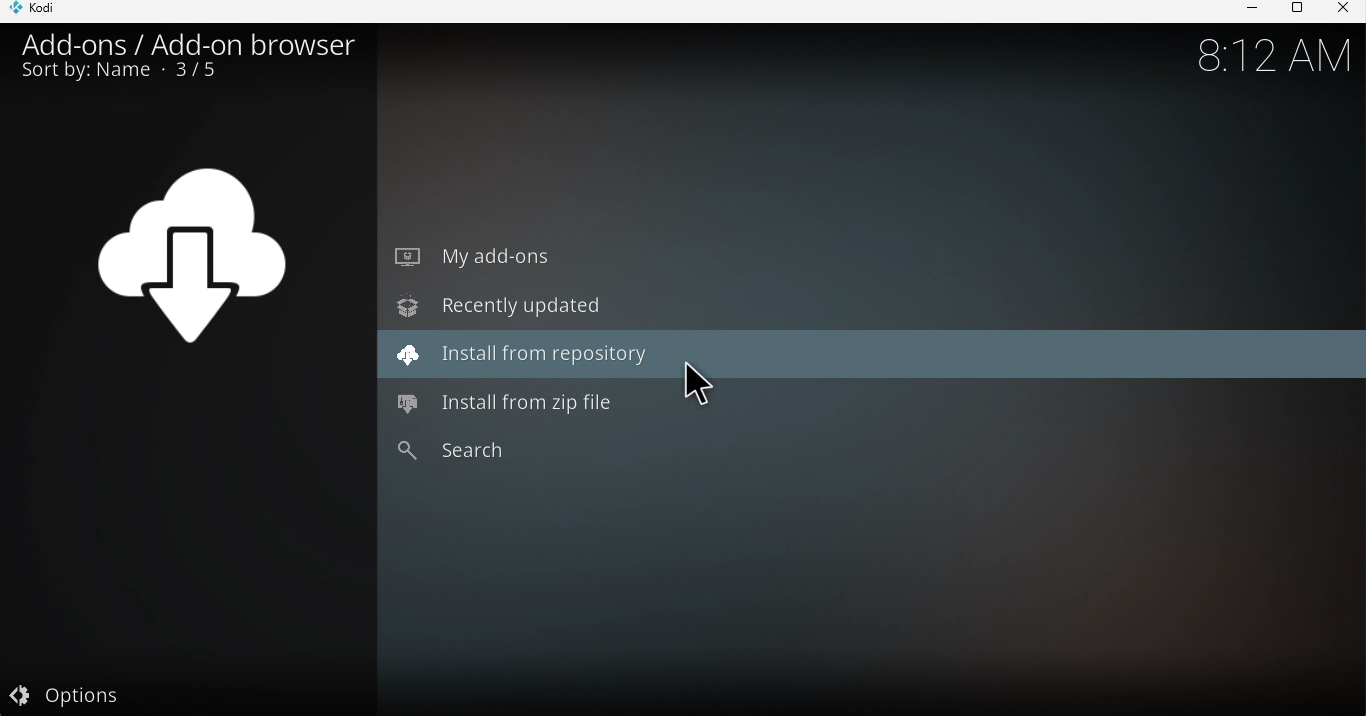  What do you see at coordinates (868, 256) in the screenshot?
I see `My add-ons` at bounding box center [868, 256].